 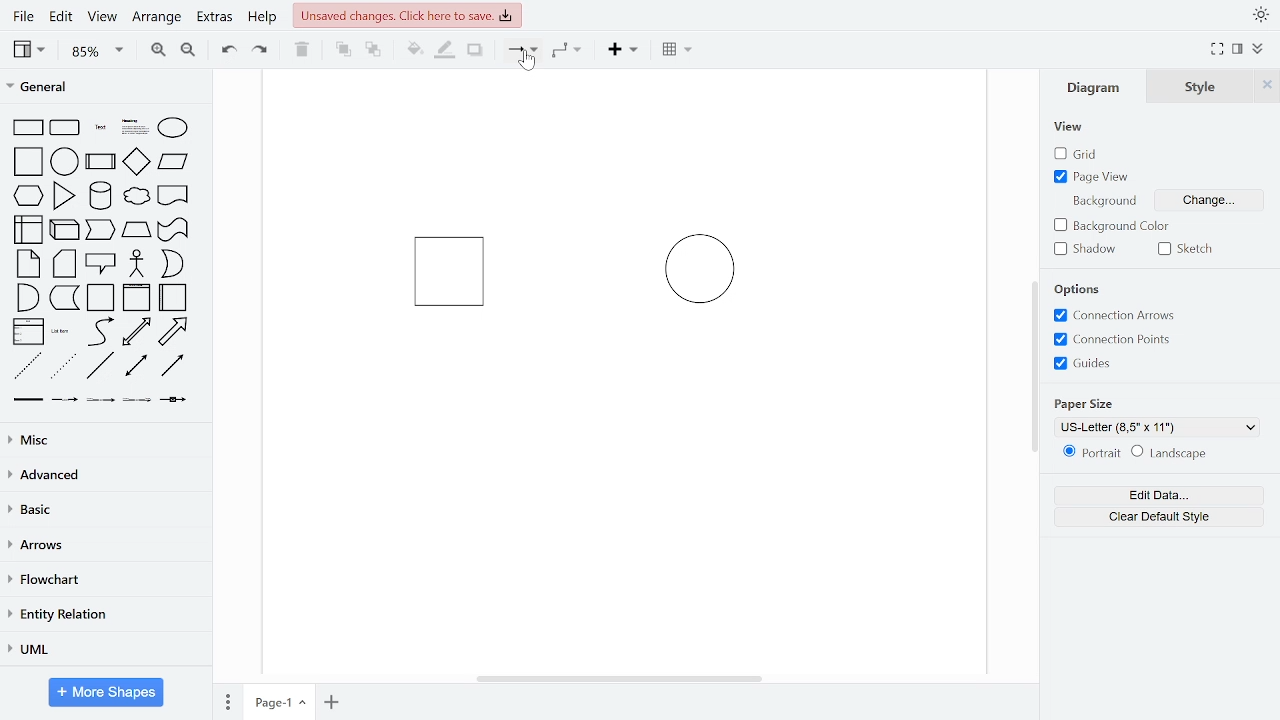 What do you see at coordinates (1070, 128) in the screenshot?
I see `view` at bounding box center [1070, 128].